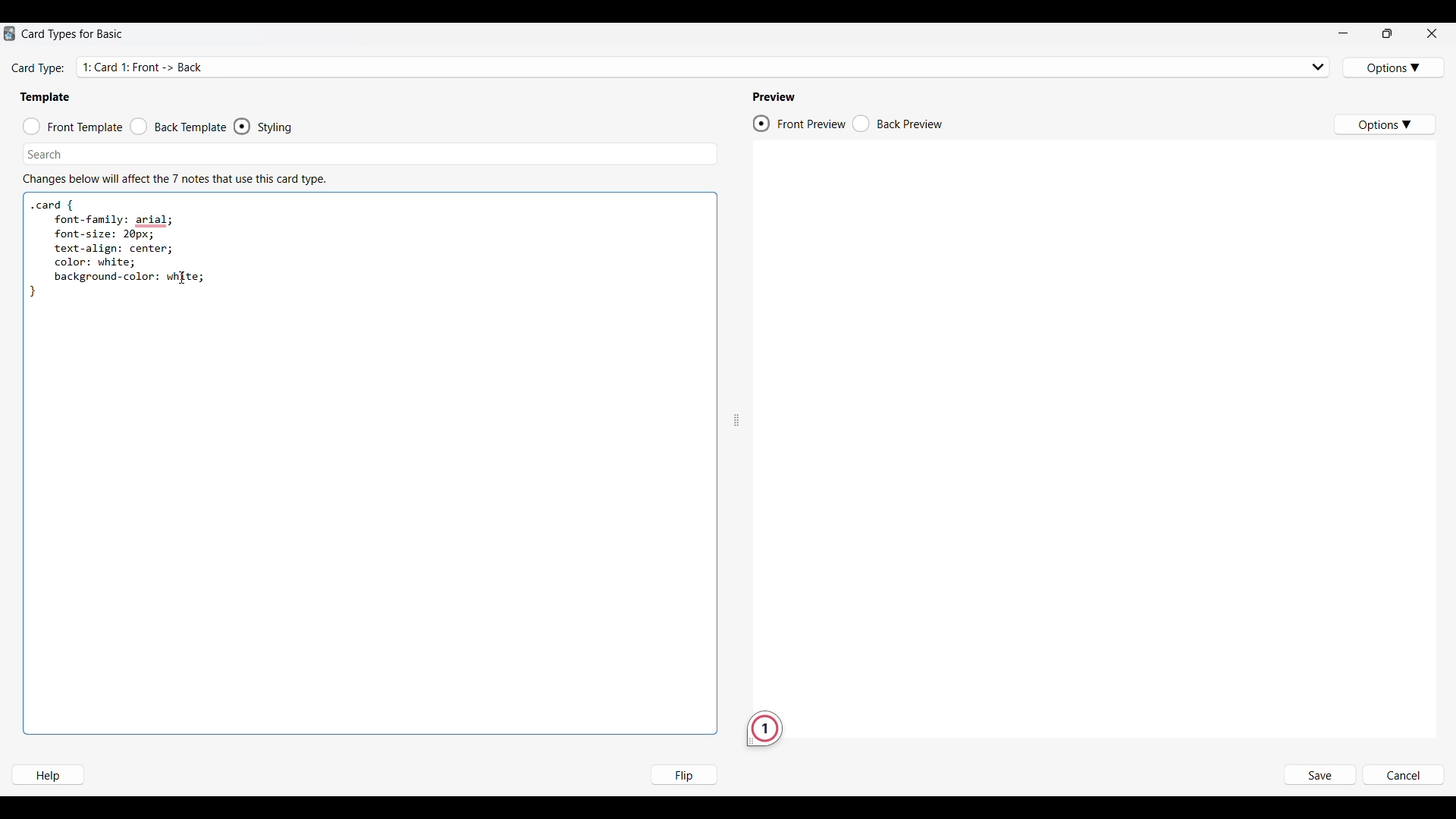  What do you see at coordinates (1395, 67) in the screenshot?
I see `Card type options` at bounding box center [1395, 67].